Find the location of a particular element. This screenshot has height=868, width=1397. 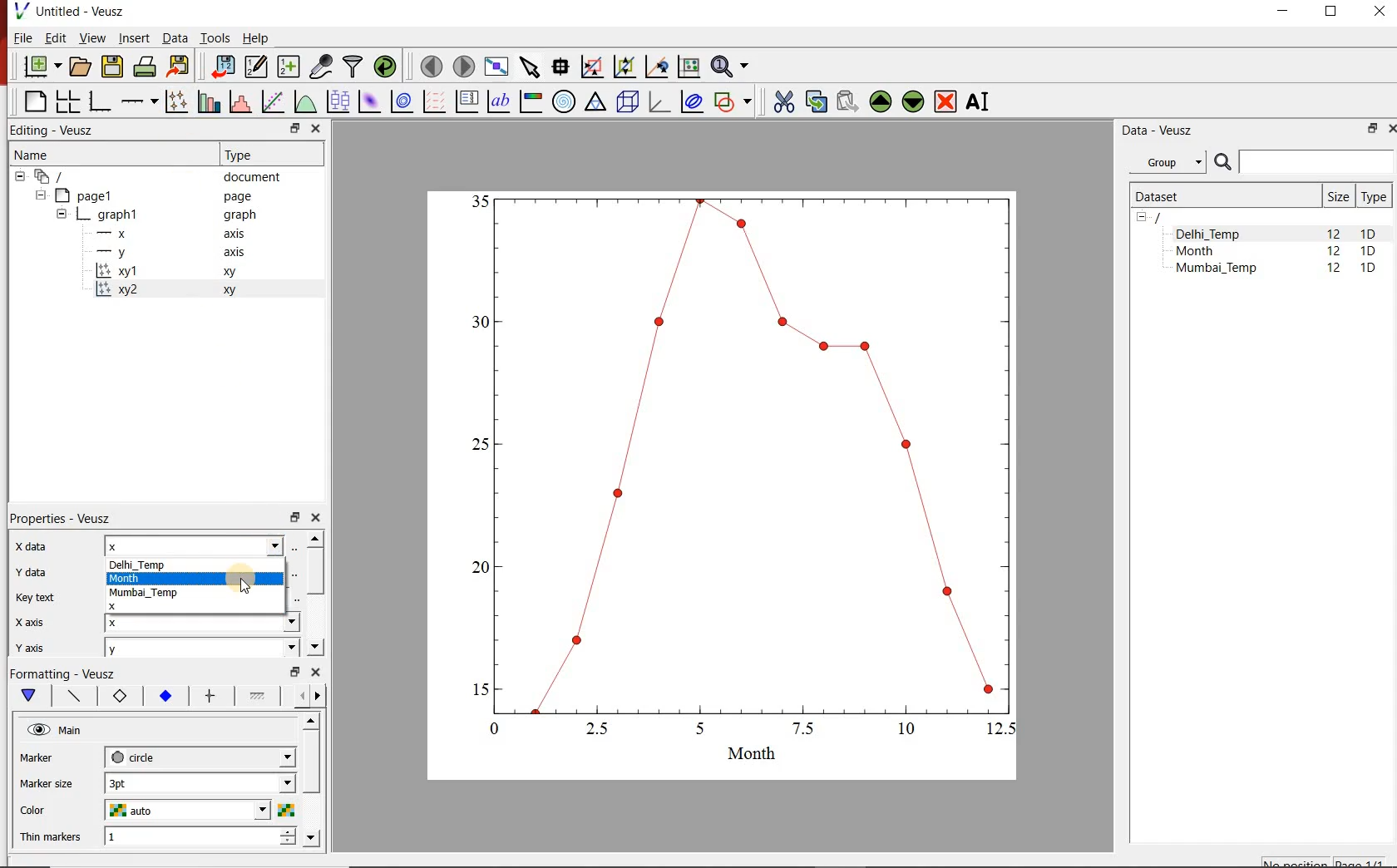

plot points with lines and errorbars is located at coordinates (175, 102).